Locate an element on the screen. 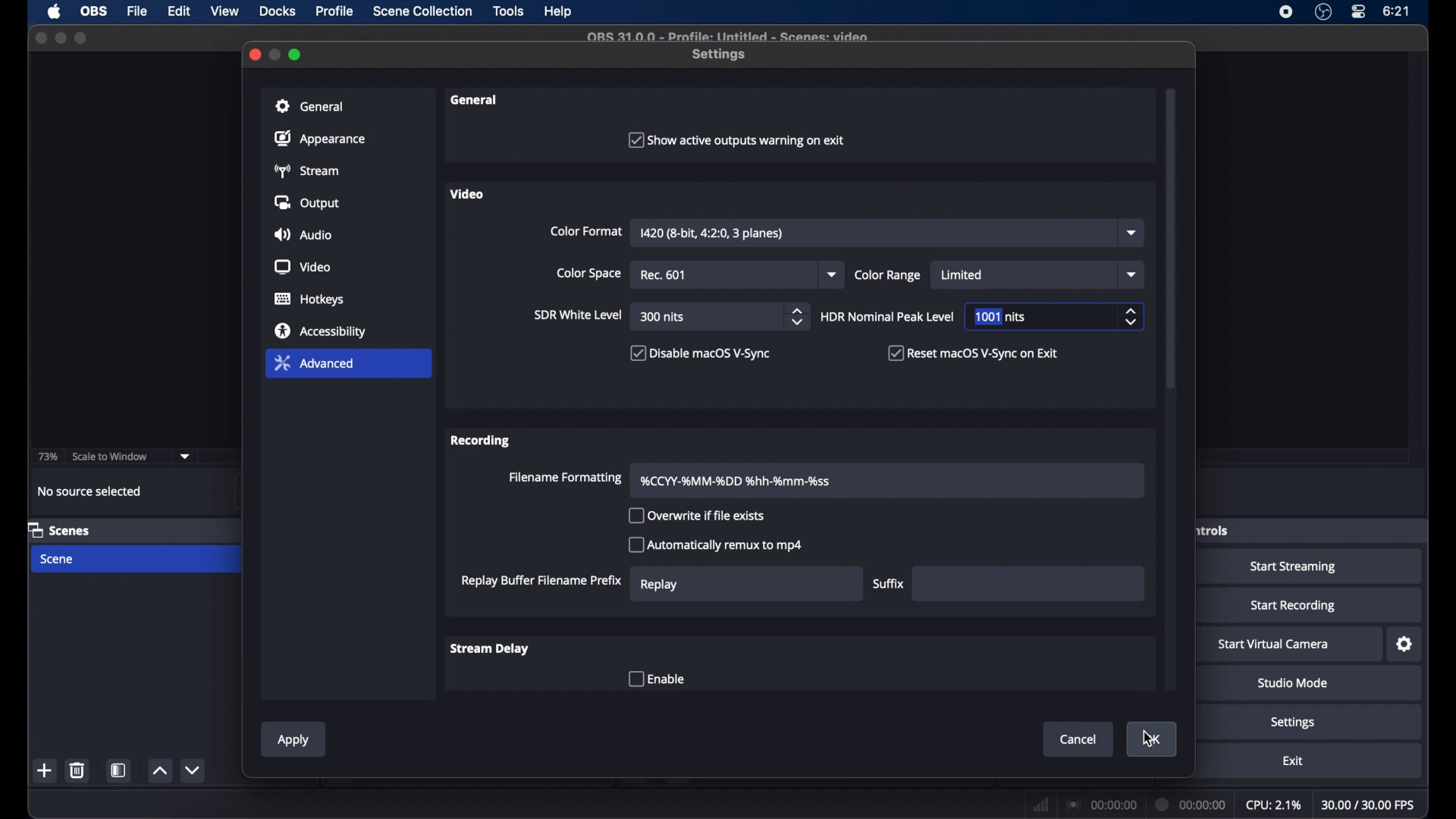 The image size is (1456, 819). cpu is located at coordinates (1275, 805).